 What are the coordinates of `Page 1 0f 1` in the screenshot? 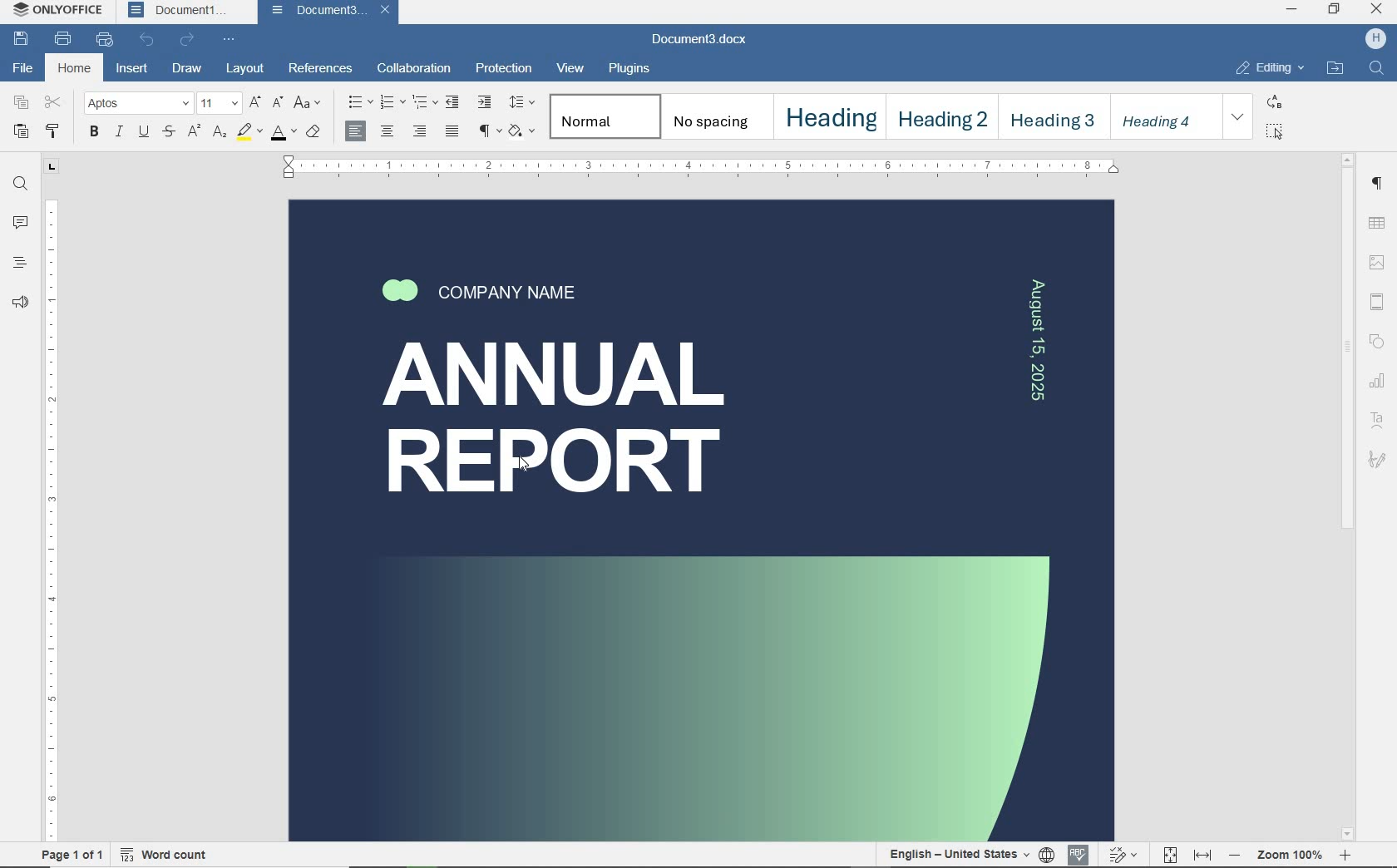 It's located at (72, 855).